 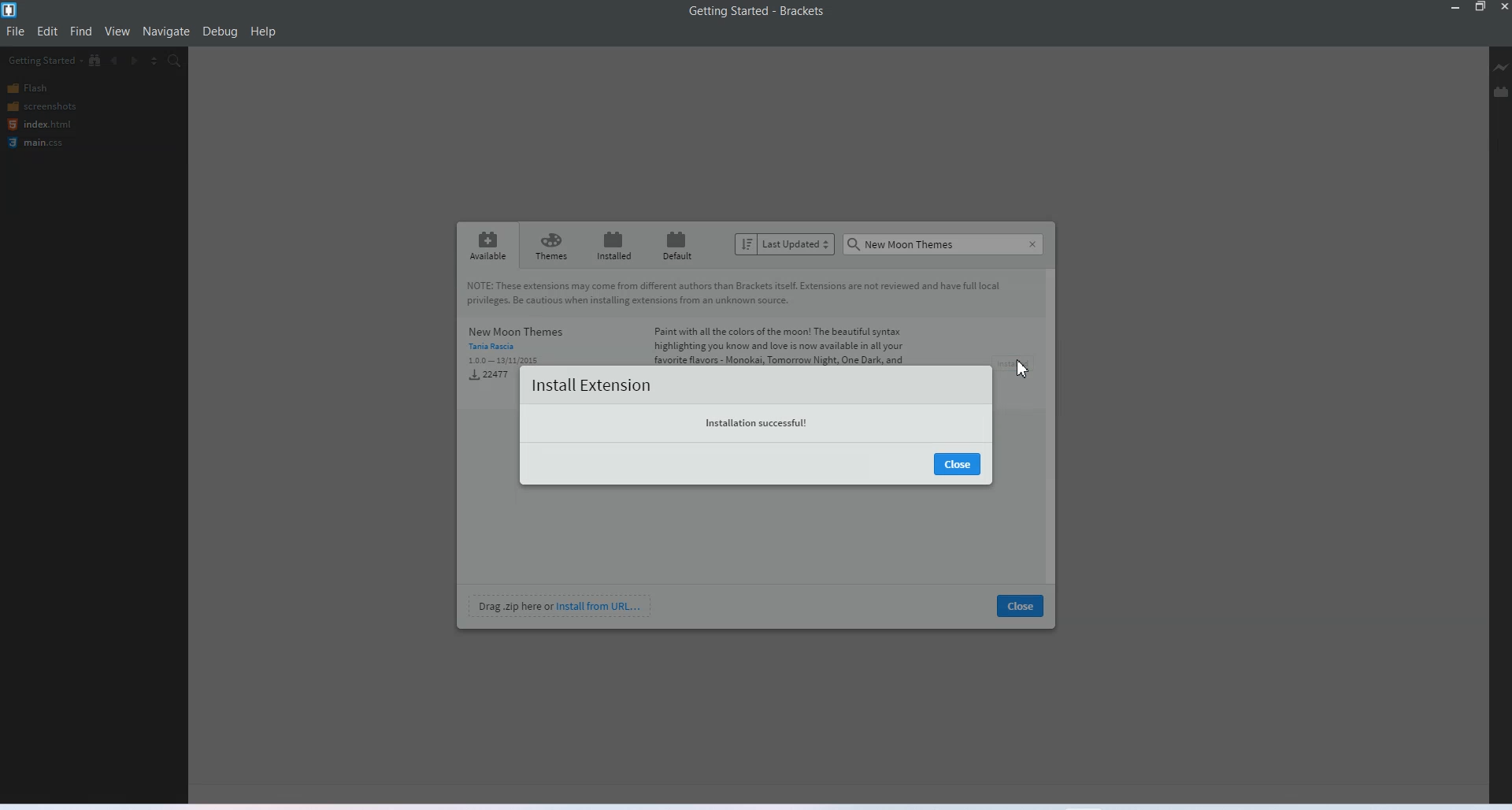 What do you see at coordinates (1503, 66) in the screenshot?
I see `Live preview` at bounding box center [1503, 66].